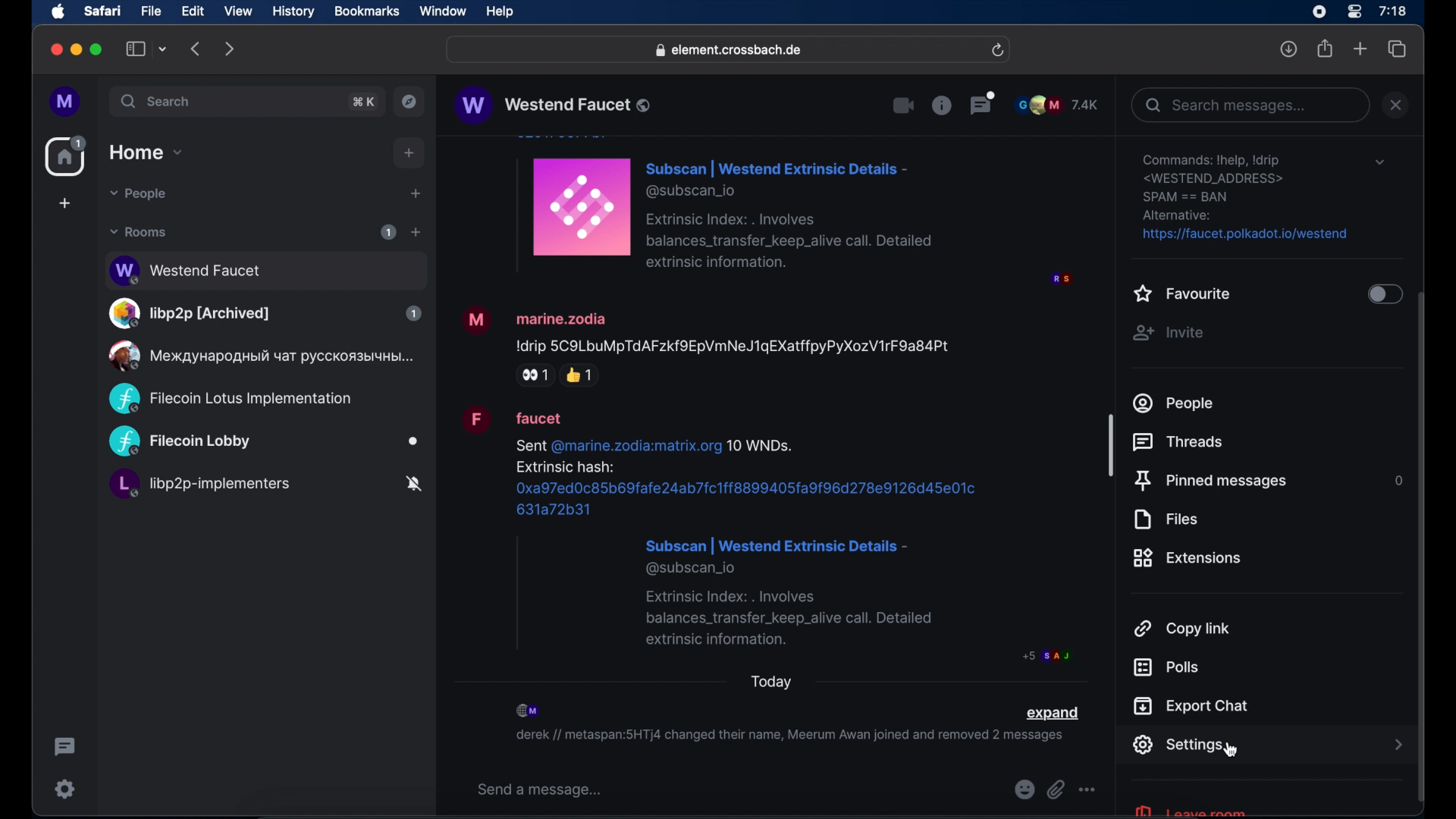  What do you see at coordinates (196, 49) in the screenshot?
I see `backward` at bounding box center [196, 49].